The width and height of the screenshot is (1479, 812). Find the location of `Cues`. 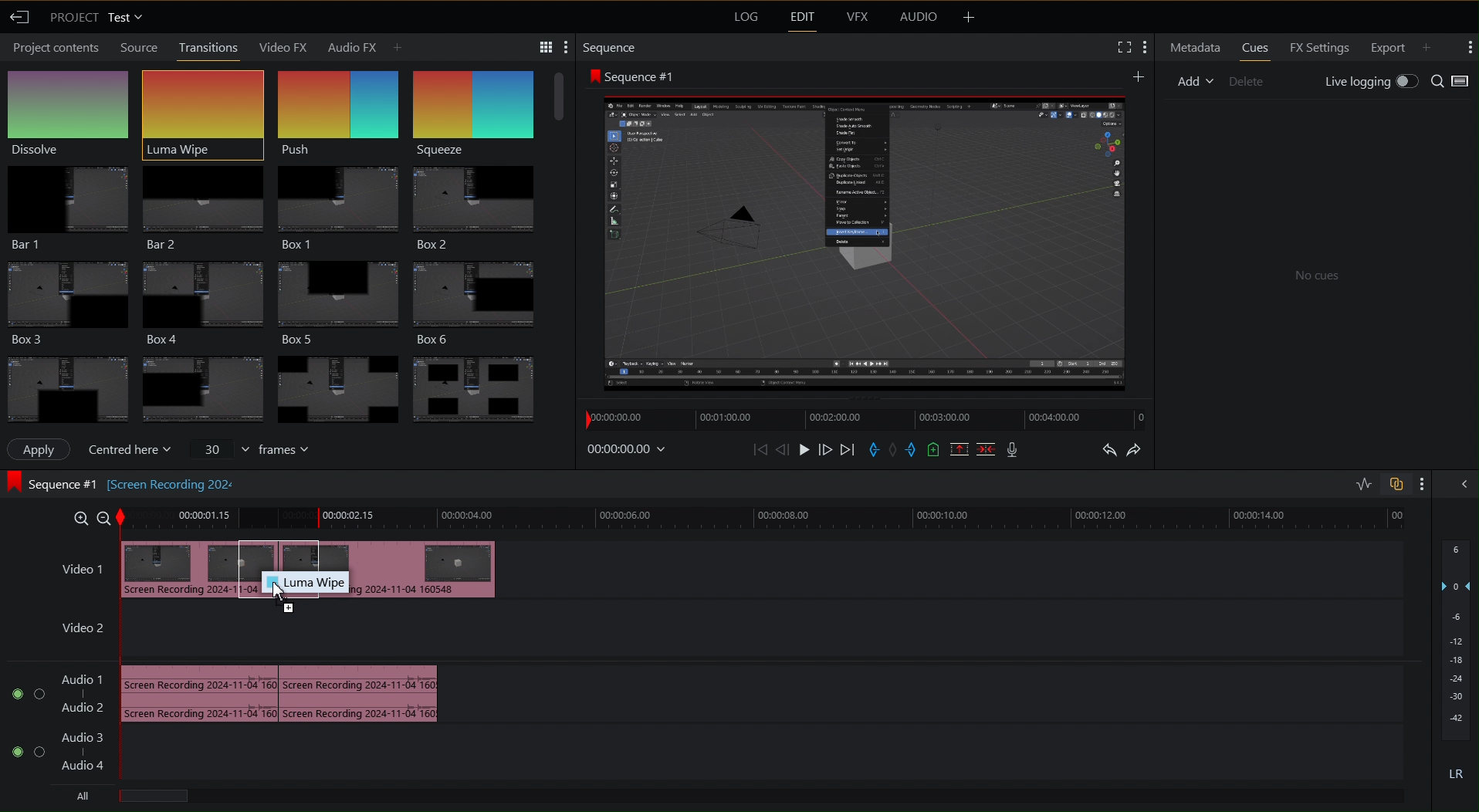

Cues is located at coordinates (1255, 48).